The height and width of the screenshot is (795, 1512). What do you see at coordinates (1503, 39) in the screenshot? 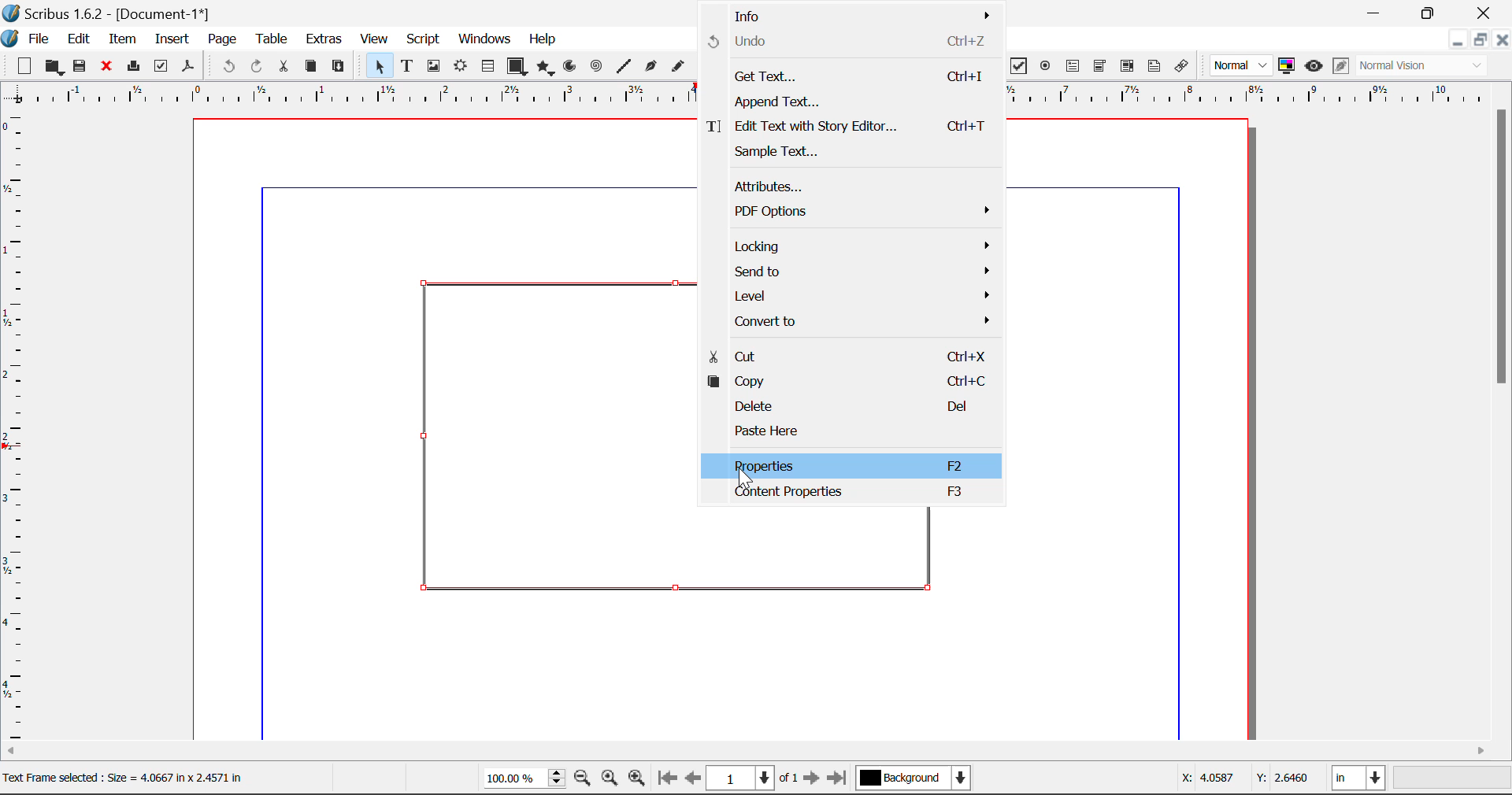
I see `Close` at bounding box center [1503, 39].